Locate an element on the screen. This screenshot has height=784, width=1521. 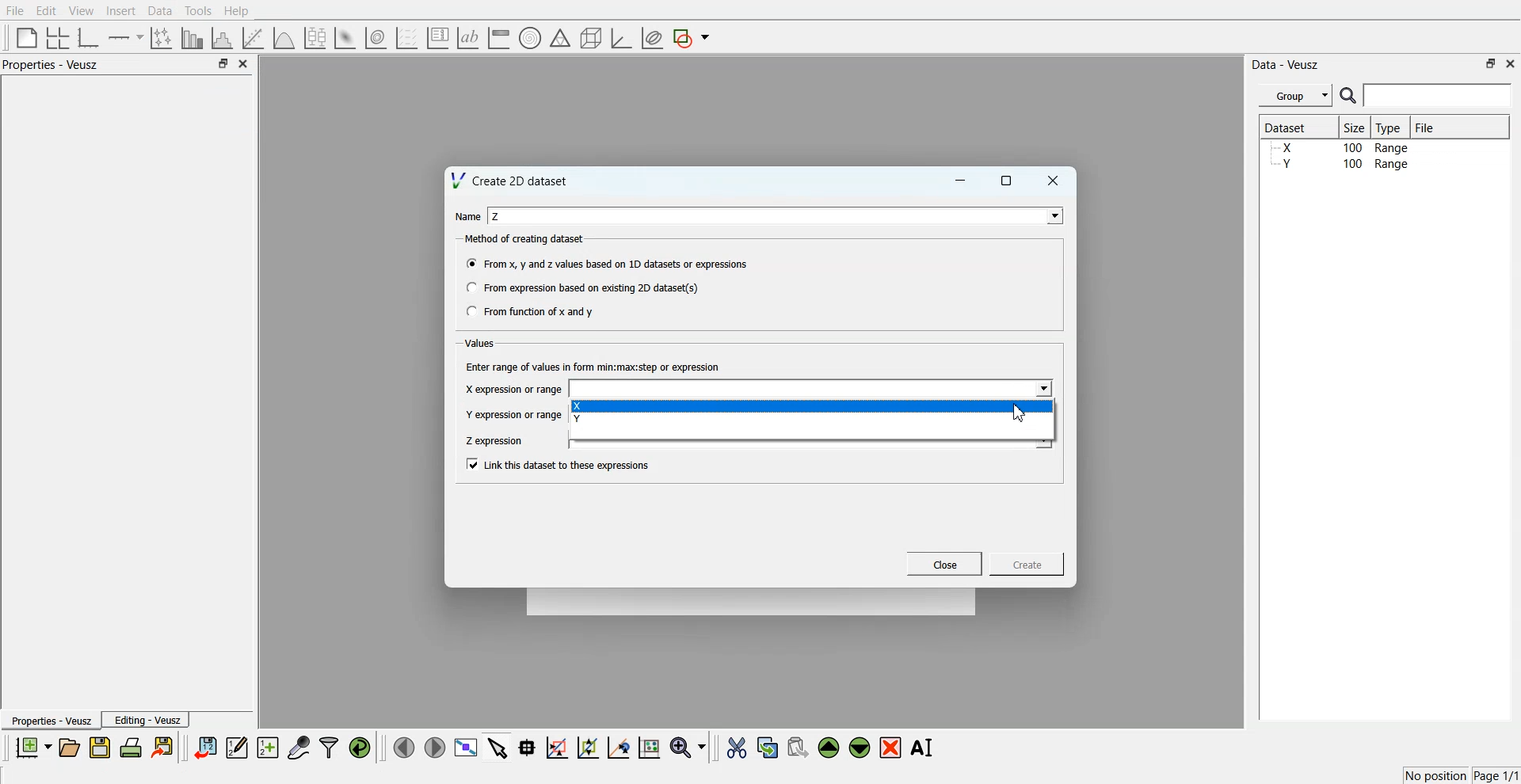
Base Graph is located at coordinates (89, 38).